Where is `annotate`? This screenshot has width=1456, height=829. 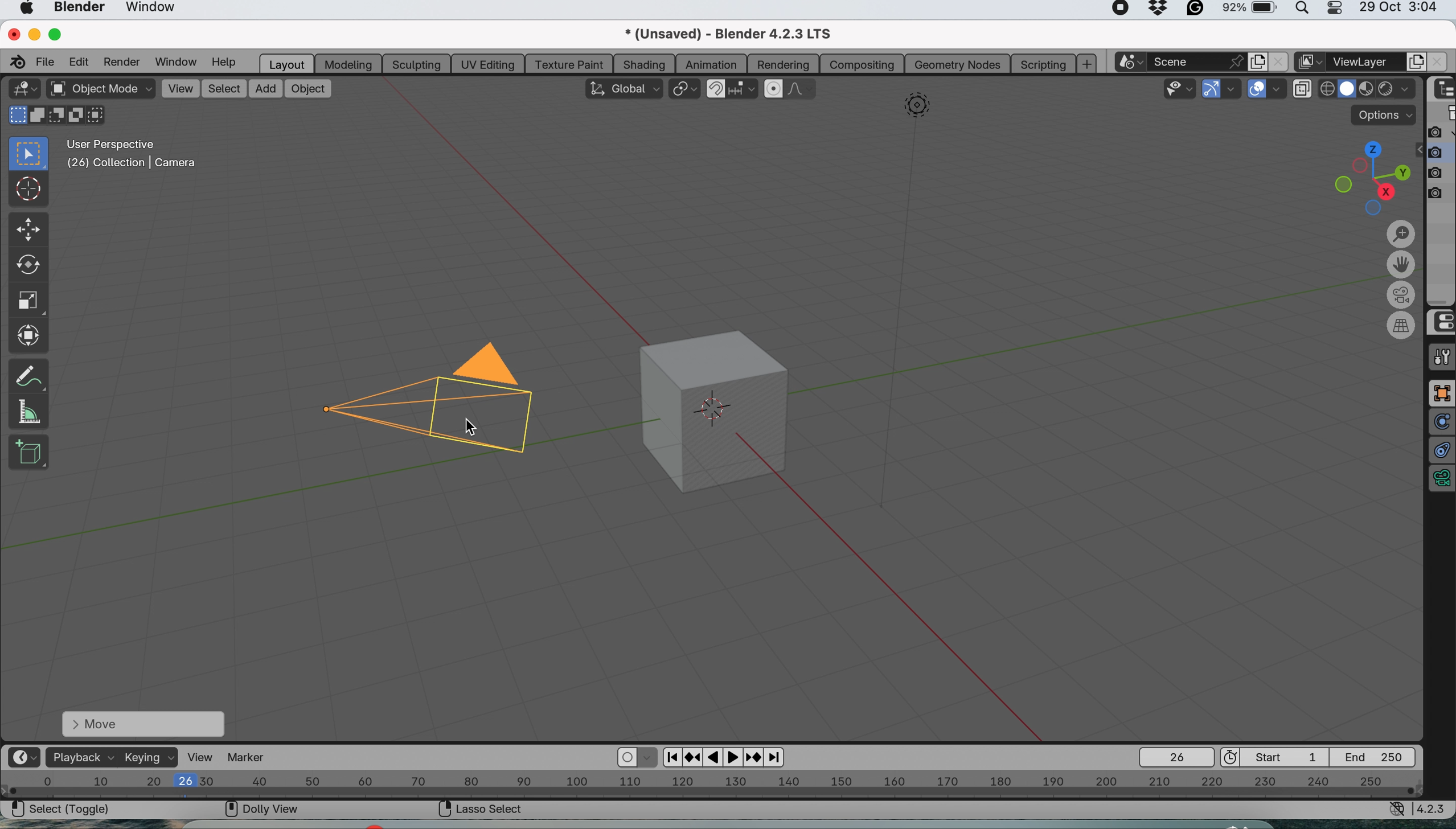 annotate is located at coordinates (28, 373).